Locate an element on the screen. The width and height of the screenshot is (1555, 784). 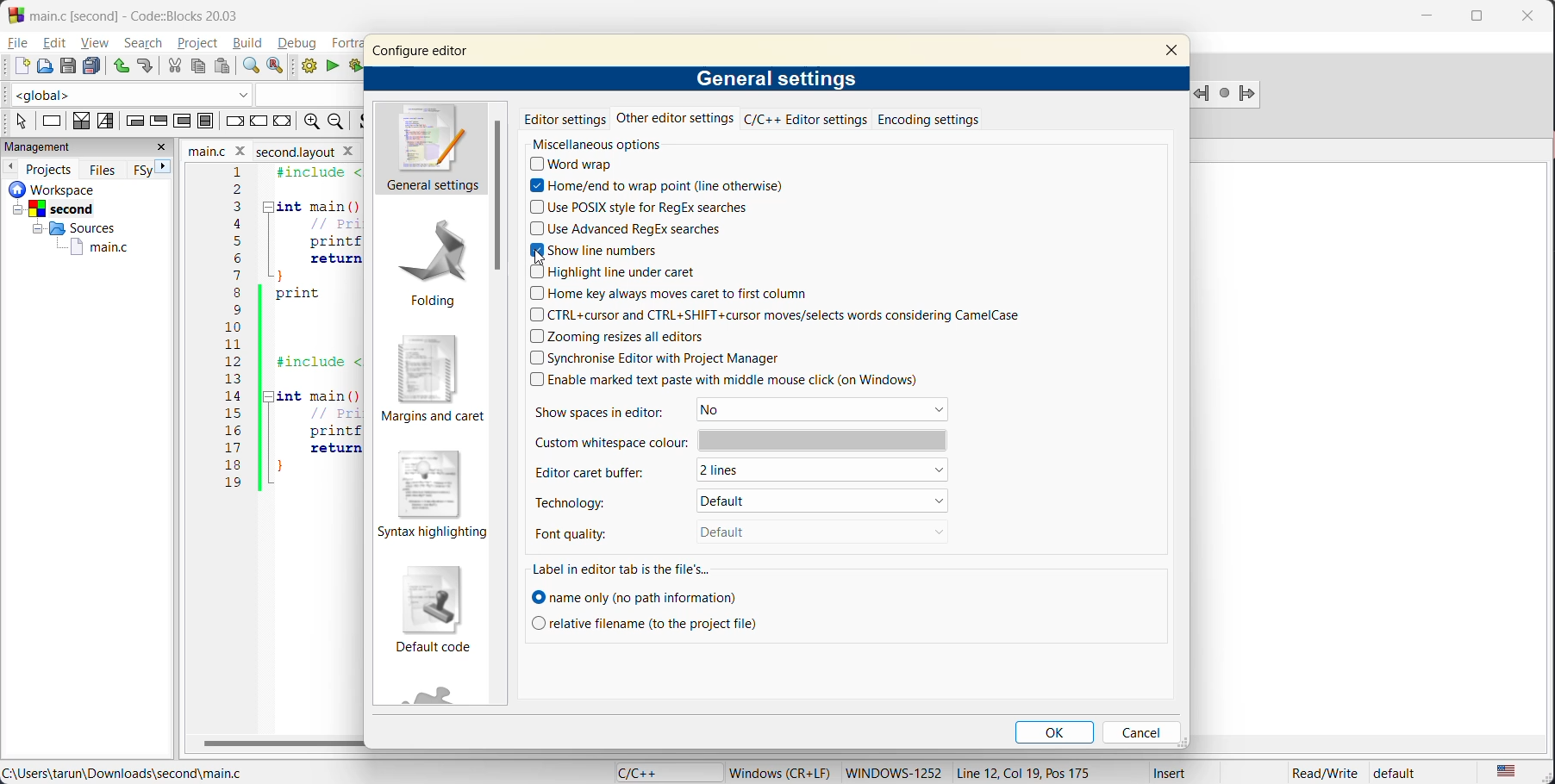
zoom out is located at coordinates (340, 122).